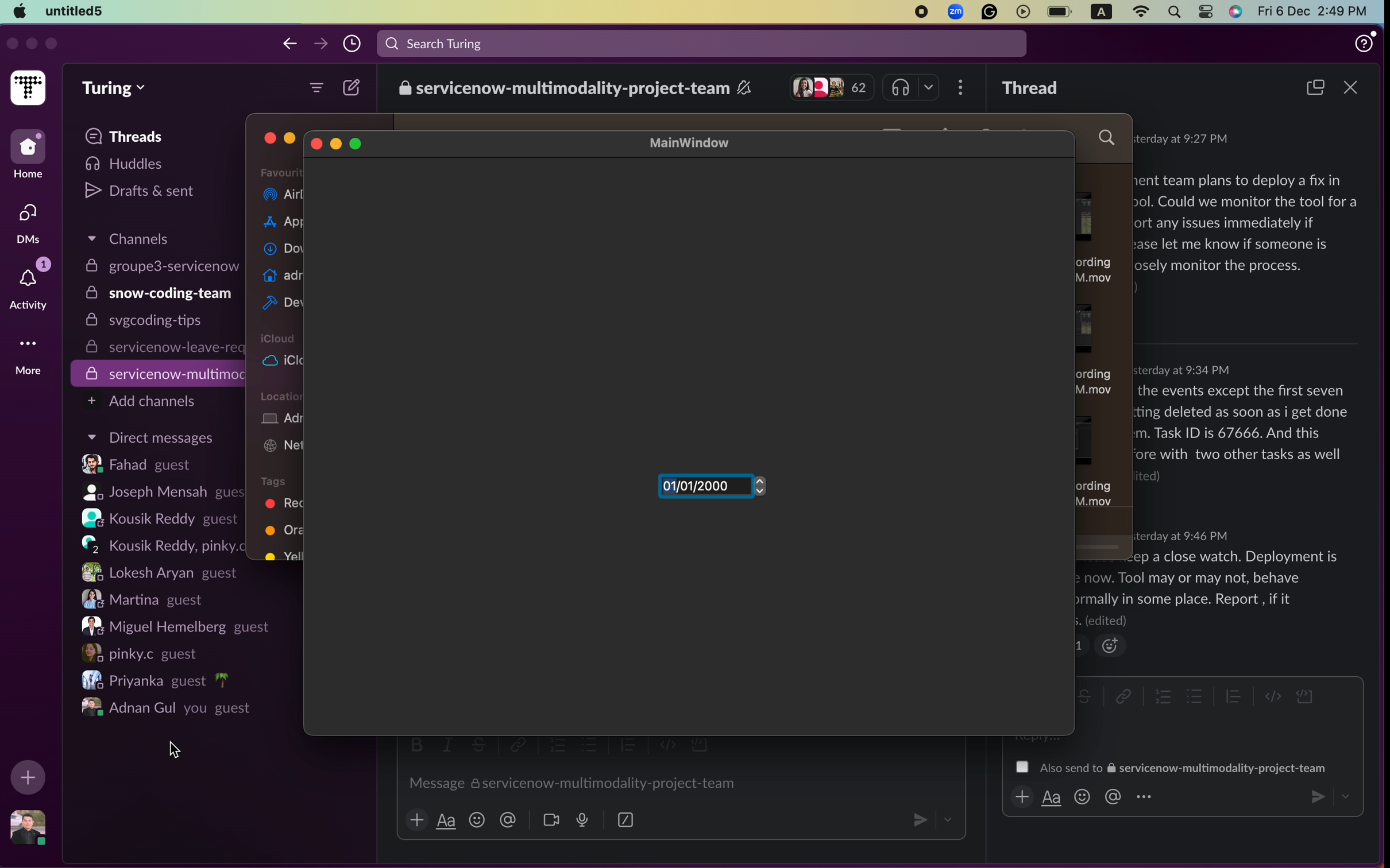 The height and width of the screenshot is (868, 1390). Describe the element at coordinates (1083, 798) in the screenshot. I see `emoji` at that location.